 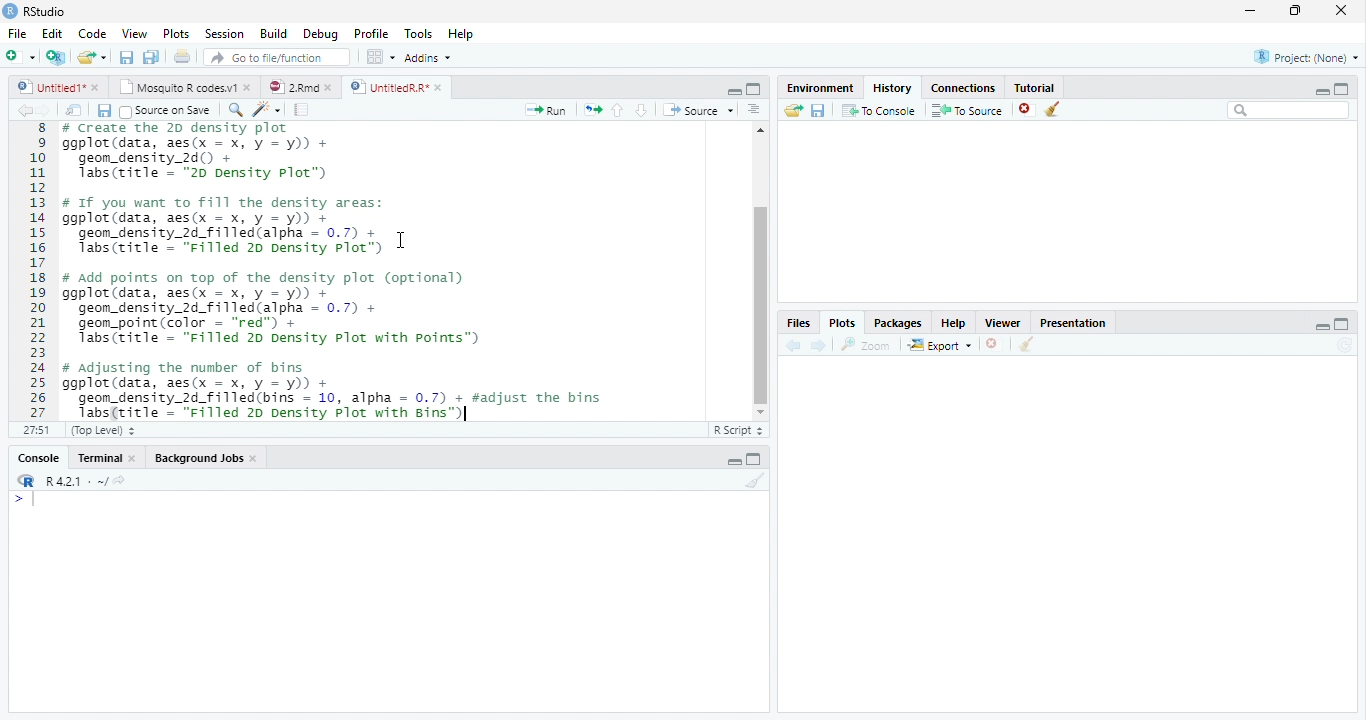 What do you see at coordinates (818, 88) in the screenshot?
I see `Environment` at bounding box center [818, 88].